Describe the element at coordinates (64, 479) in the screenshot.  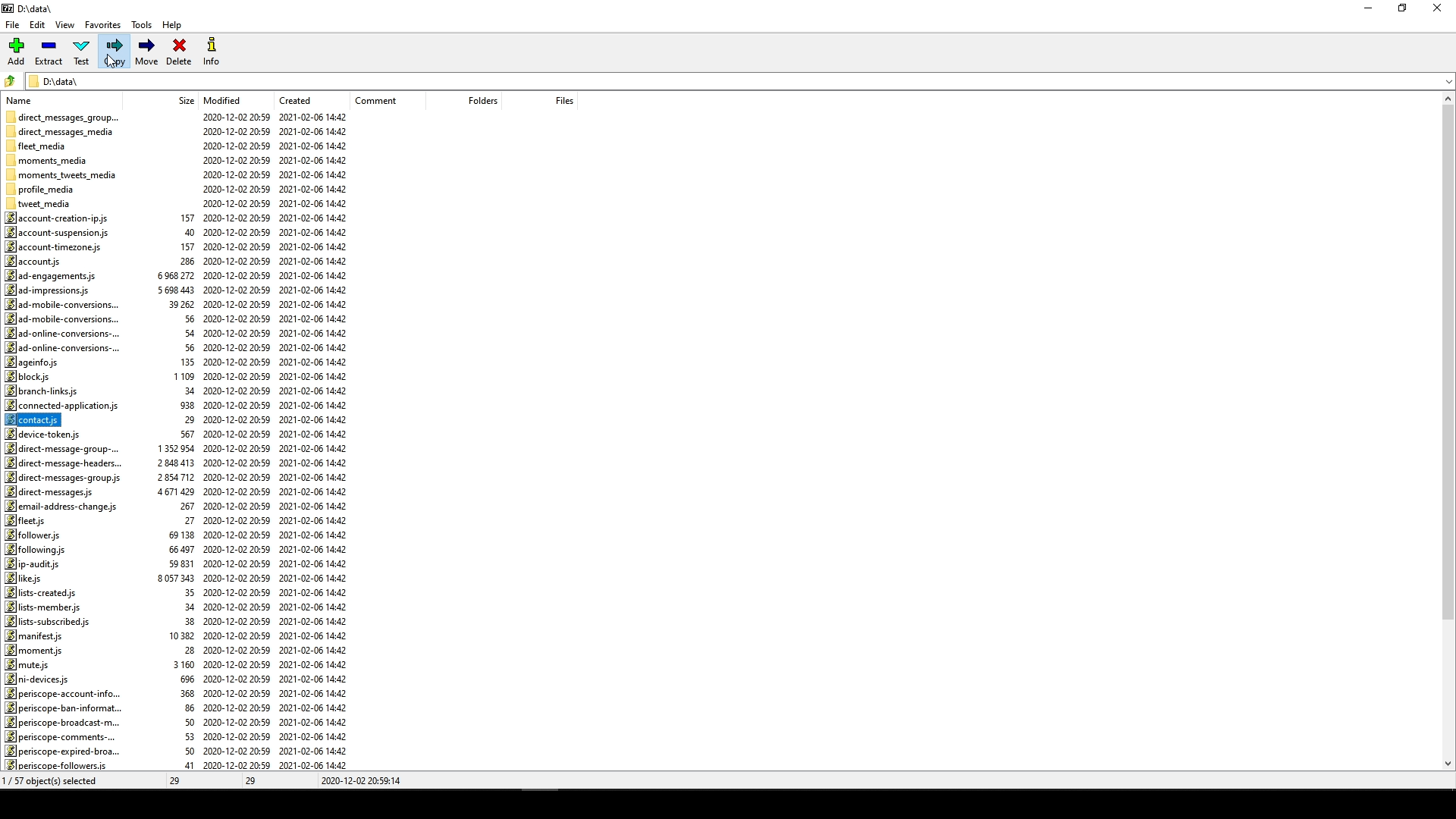
I see `direct-messages-group.js` at that location.